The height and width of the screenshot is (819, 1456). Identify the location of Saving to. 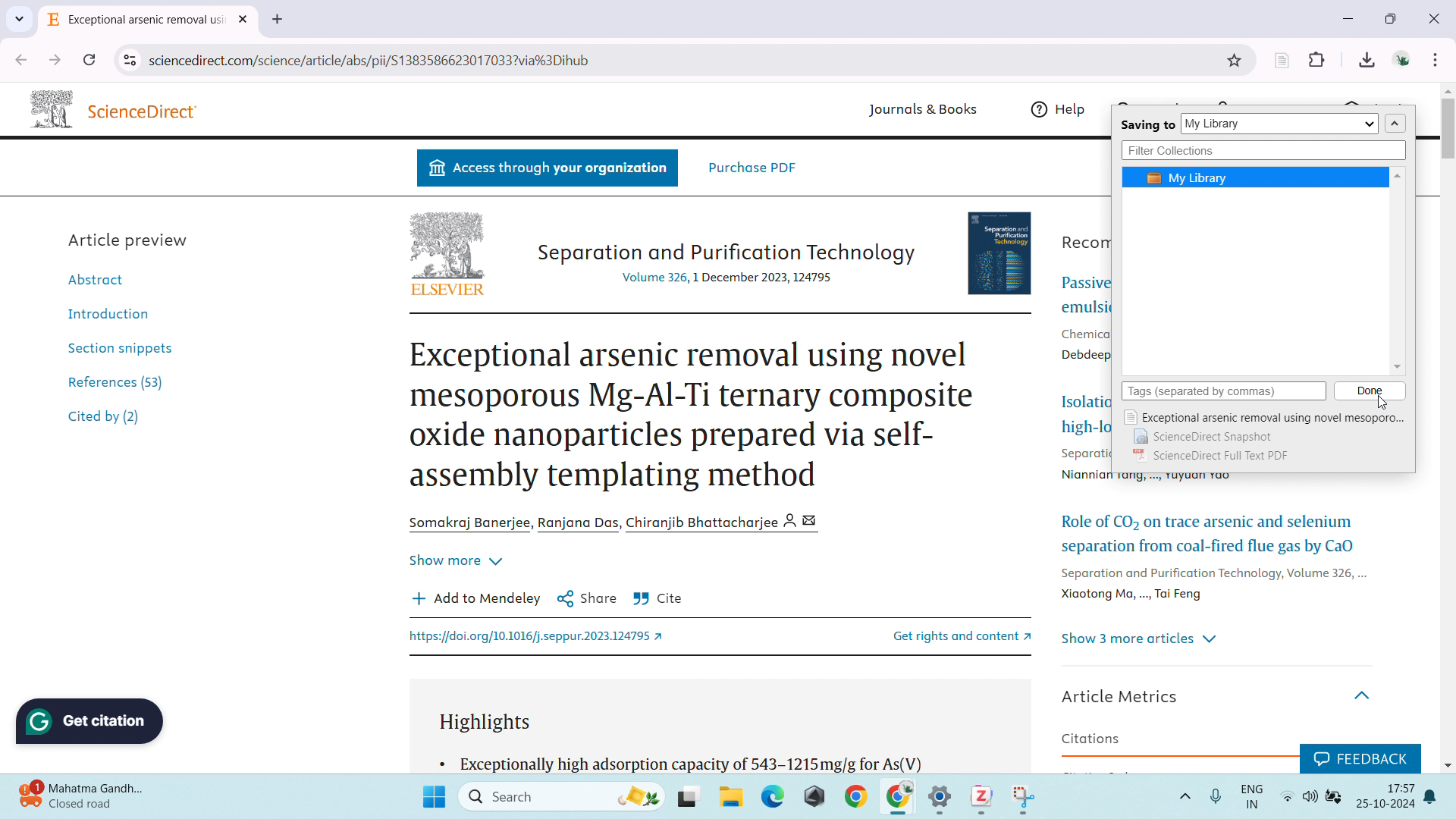
(1147, 126).